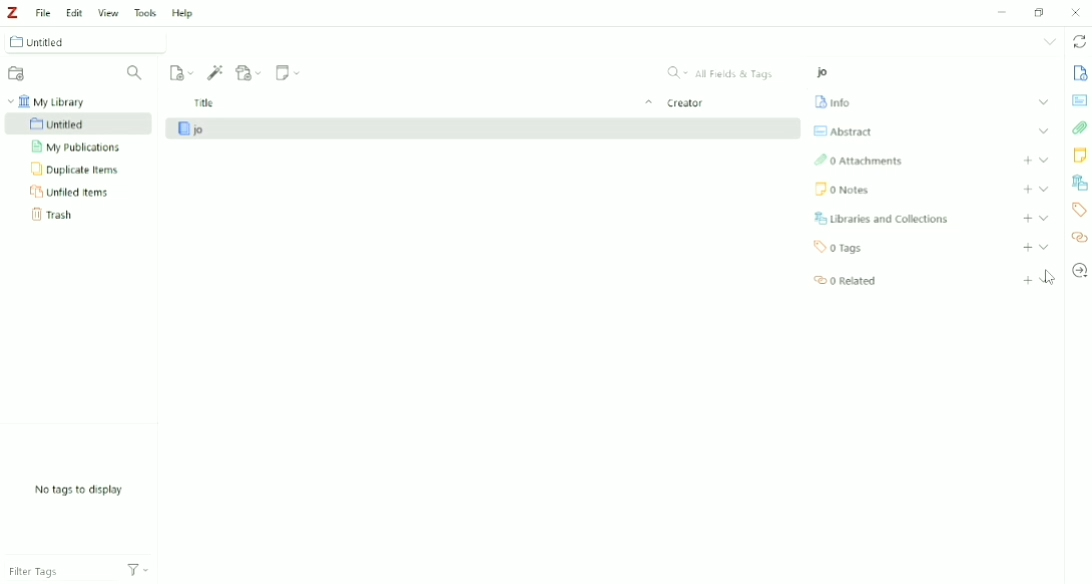 Image resolution: width=1092 pixels, height=584 pixels. I want to click on Cursor, so click(1050, 278).